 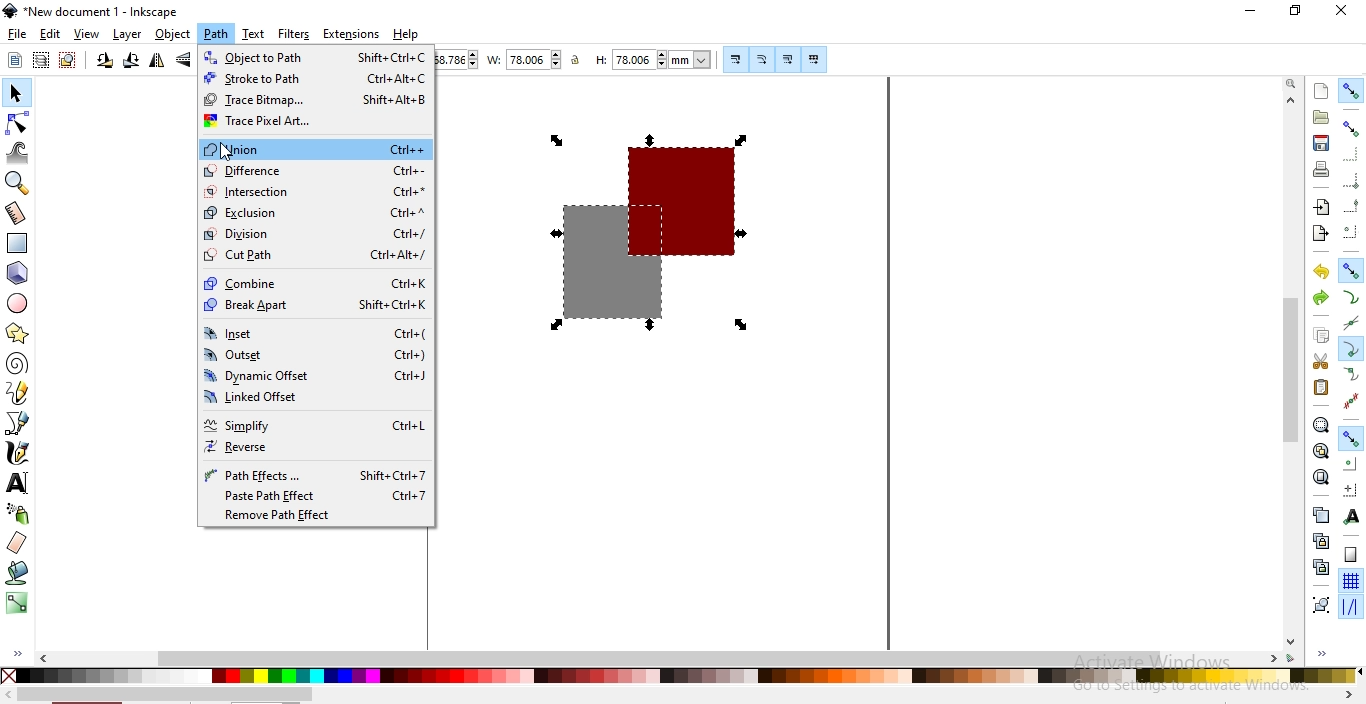 I want to click on trace pixel art, so click(x=312, y=121).